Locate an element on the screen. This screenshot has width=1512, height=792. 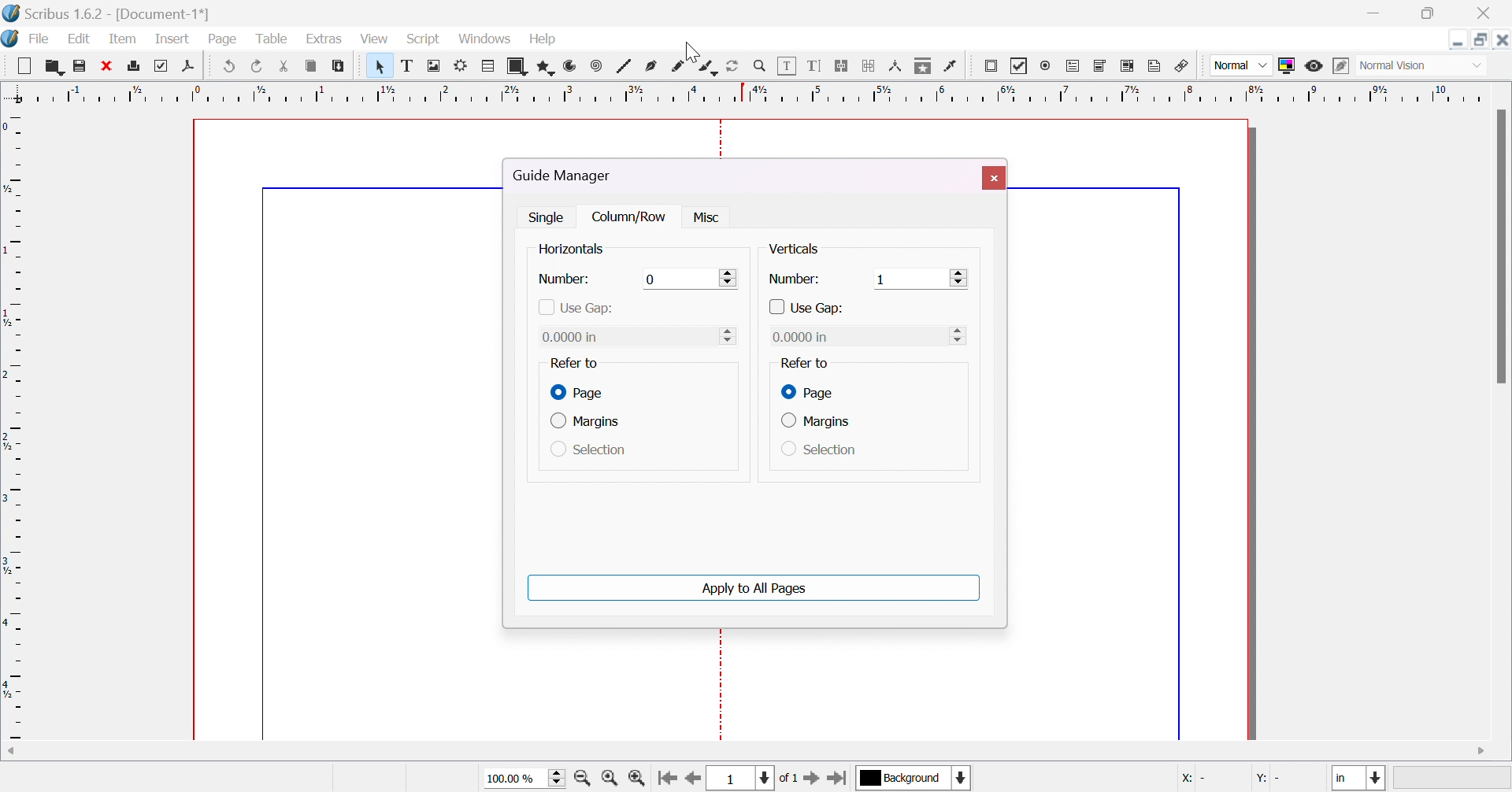
link text frames is located at coordinates (844, 67).